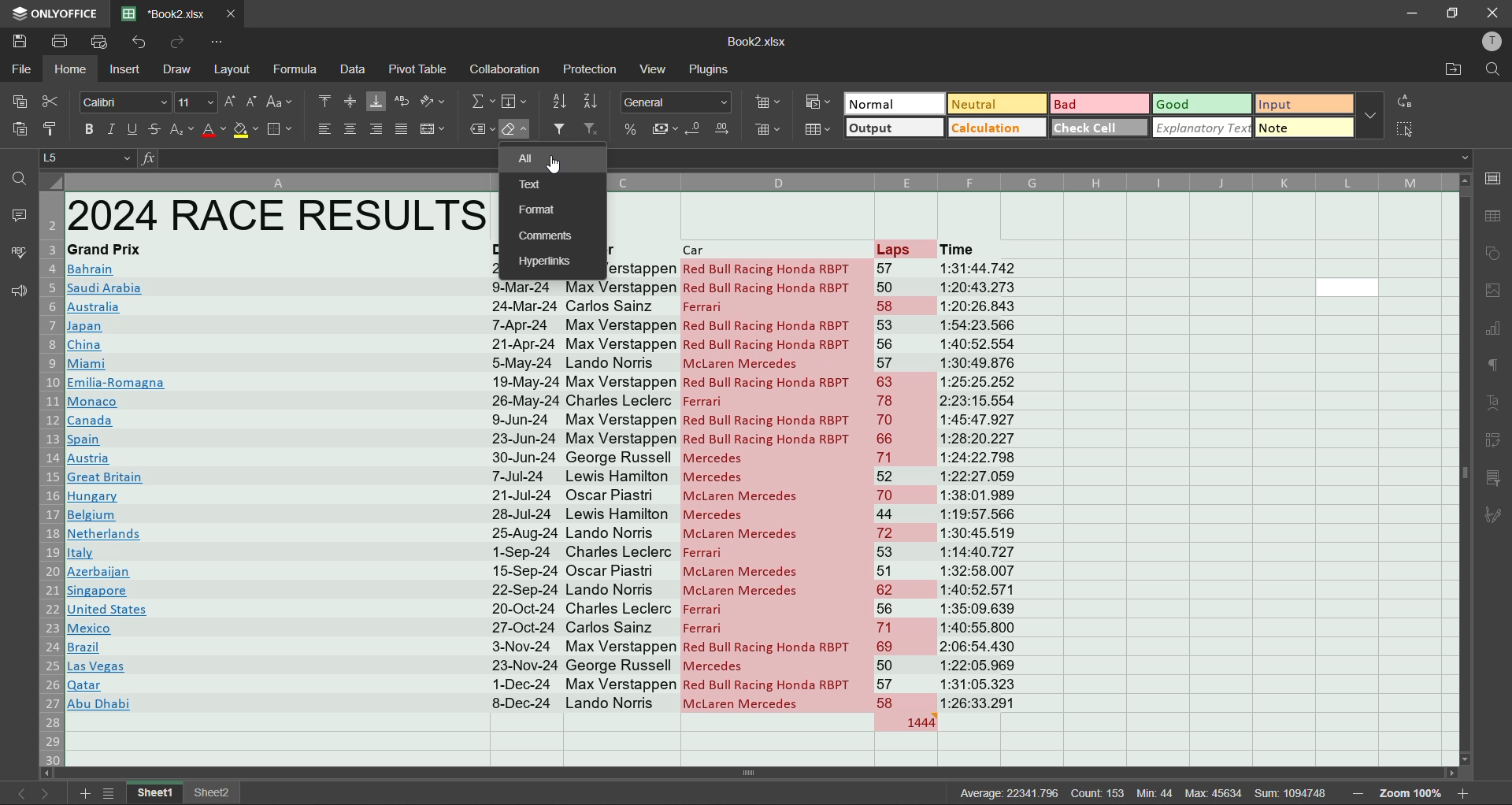 The image size is (1512, 805). What do you see at coordinates (666, 134) in the screenshot?
I see `accounting` at bounding box center [666, 134].